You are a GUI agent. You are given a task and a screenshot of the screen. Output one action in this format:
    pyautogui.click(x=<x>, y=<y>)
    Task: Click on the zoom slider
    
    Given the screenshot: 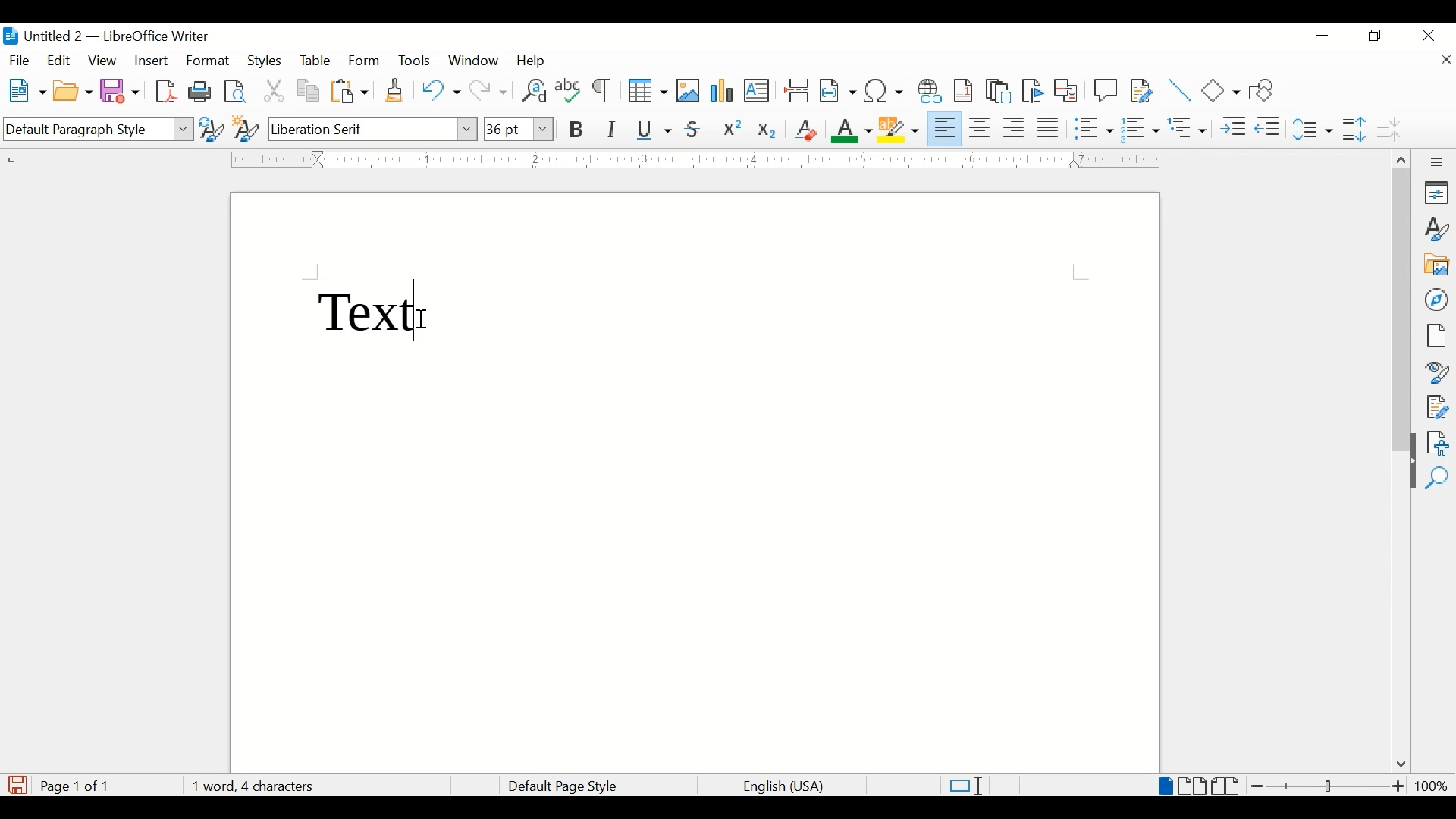 What is the action you would take?
    pyautogui.click(x=1329, y=786)
    